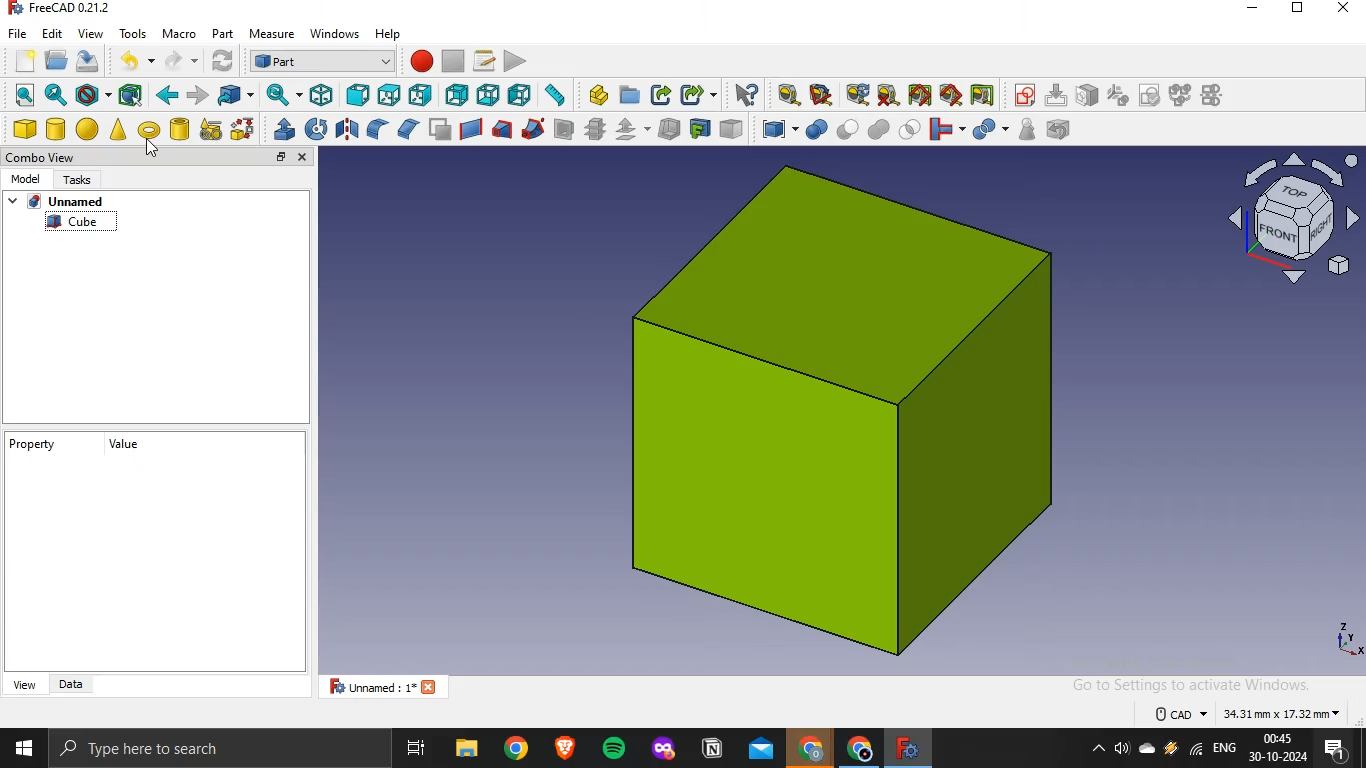 Image resolution: width=1366 pixels, height=768 pixels. What do you see at coordinates (119, 128) in the screenshot?
I see `cone` at bounding box center [119, 128].